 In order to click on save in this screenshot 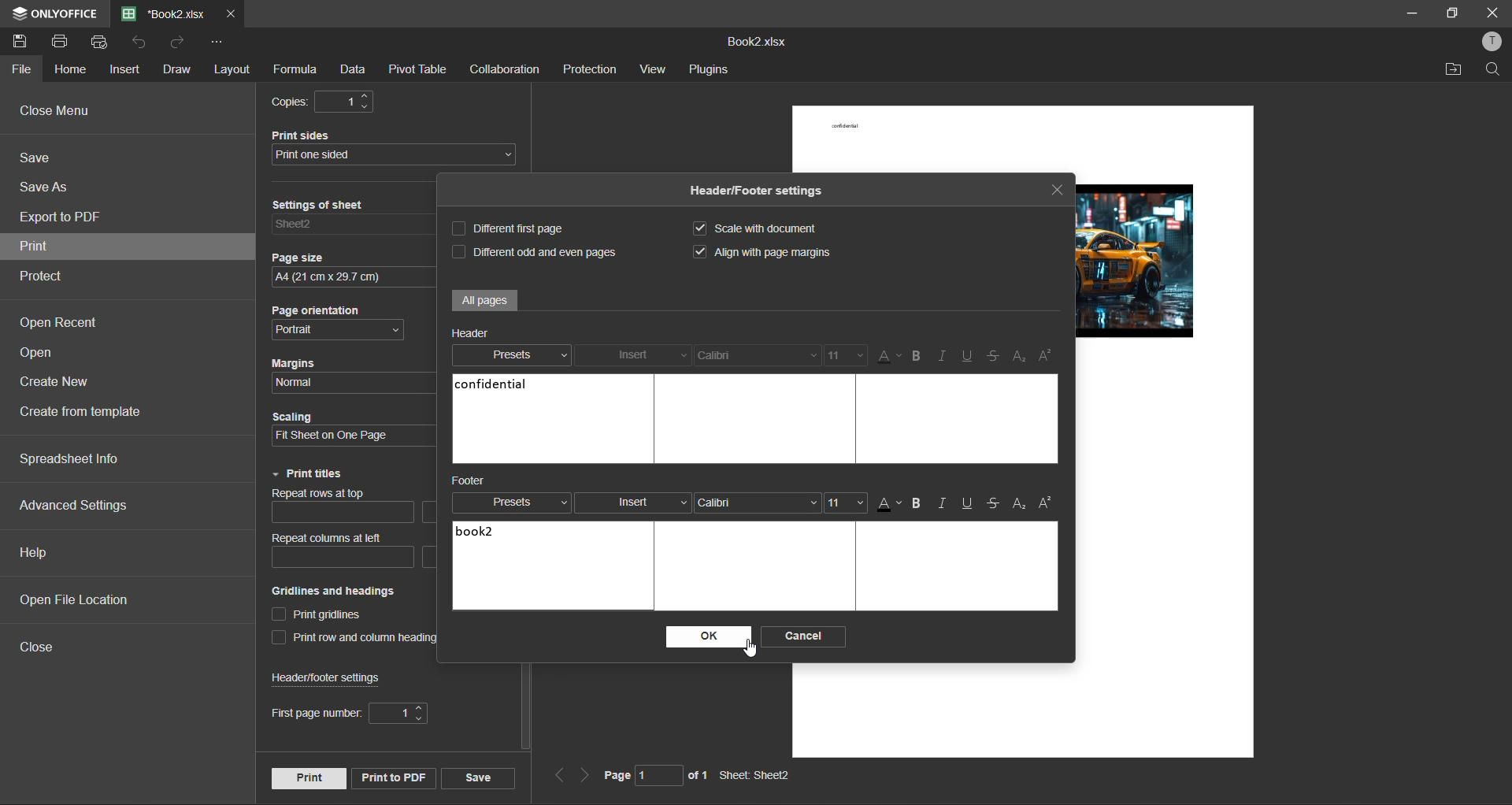, I will do `click(21, 42)`.